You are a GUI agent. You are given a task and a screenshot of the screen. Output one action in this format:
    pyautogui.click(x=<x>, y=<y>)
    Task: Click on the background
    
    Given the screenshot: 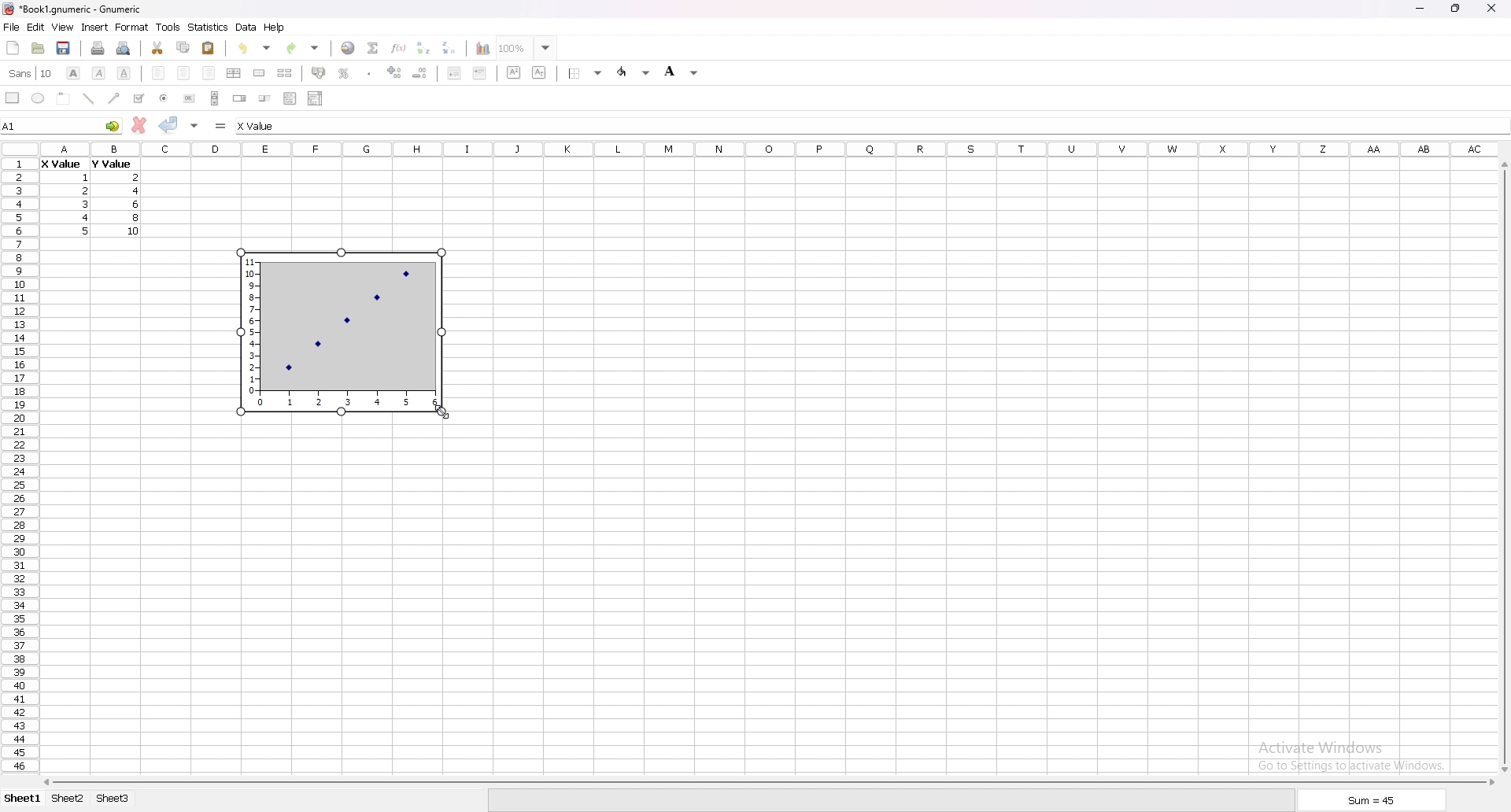 What is the action you would take?
    pyautogui.click(x=682, y=71)
    